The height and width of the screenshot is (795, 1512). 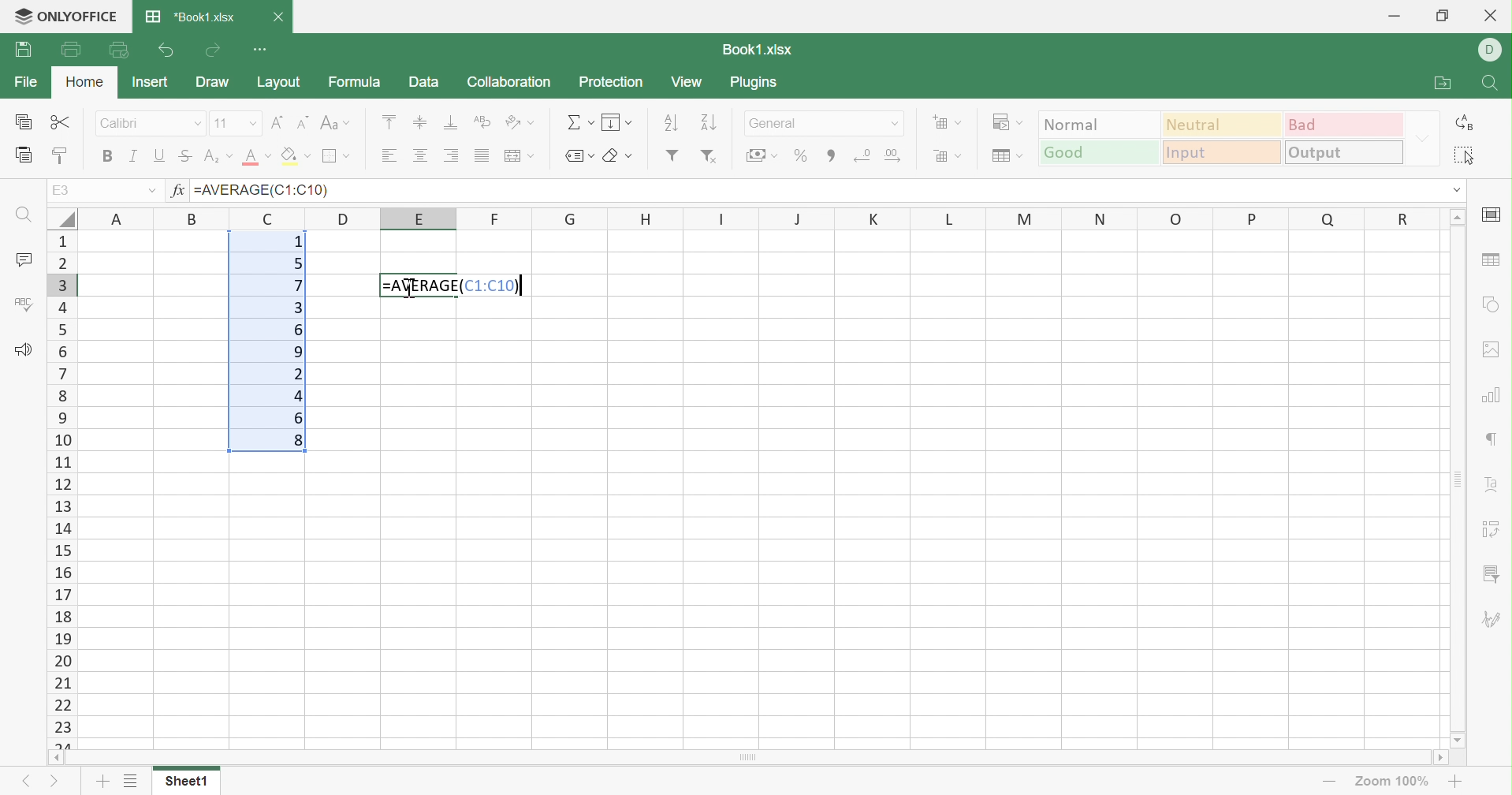 What do you see at coordinates (1489, 575) in the screenshot?
I see `Slicer settings` at bounding box center [1489, 575].